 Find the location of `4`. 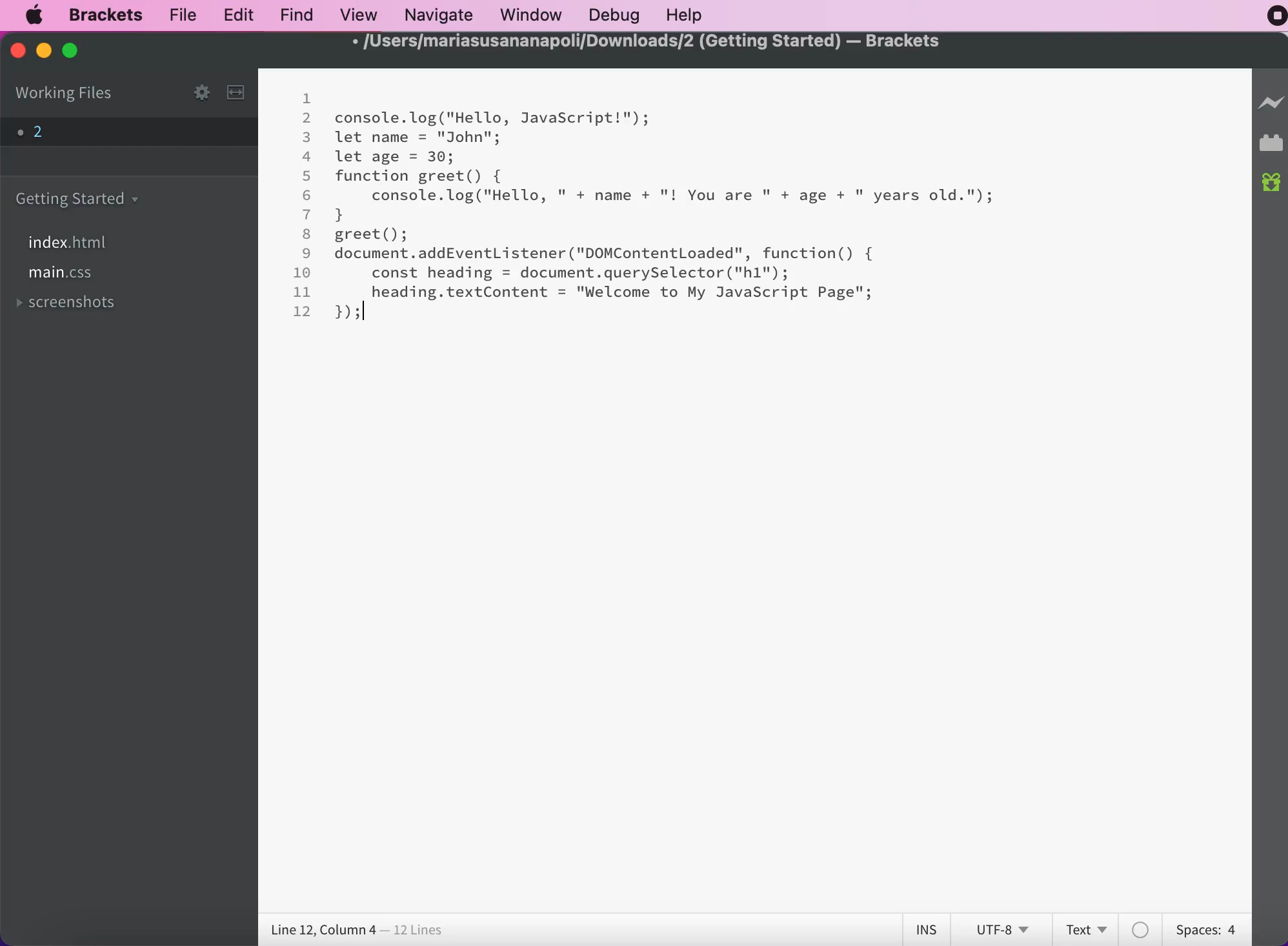

4 is located at coordinates (307, 157).